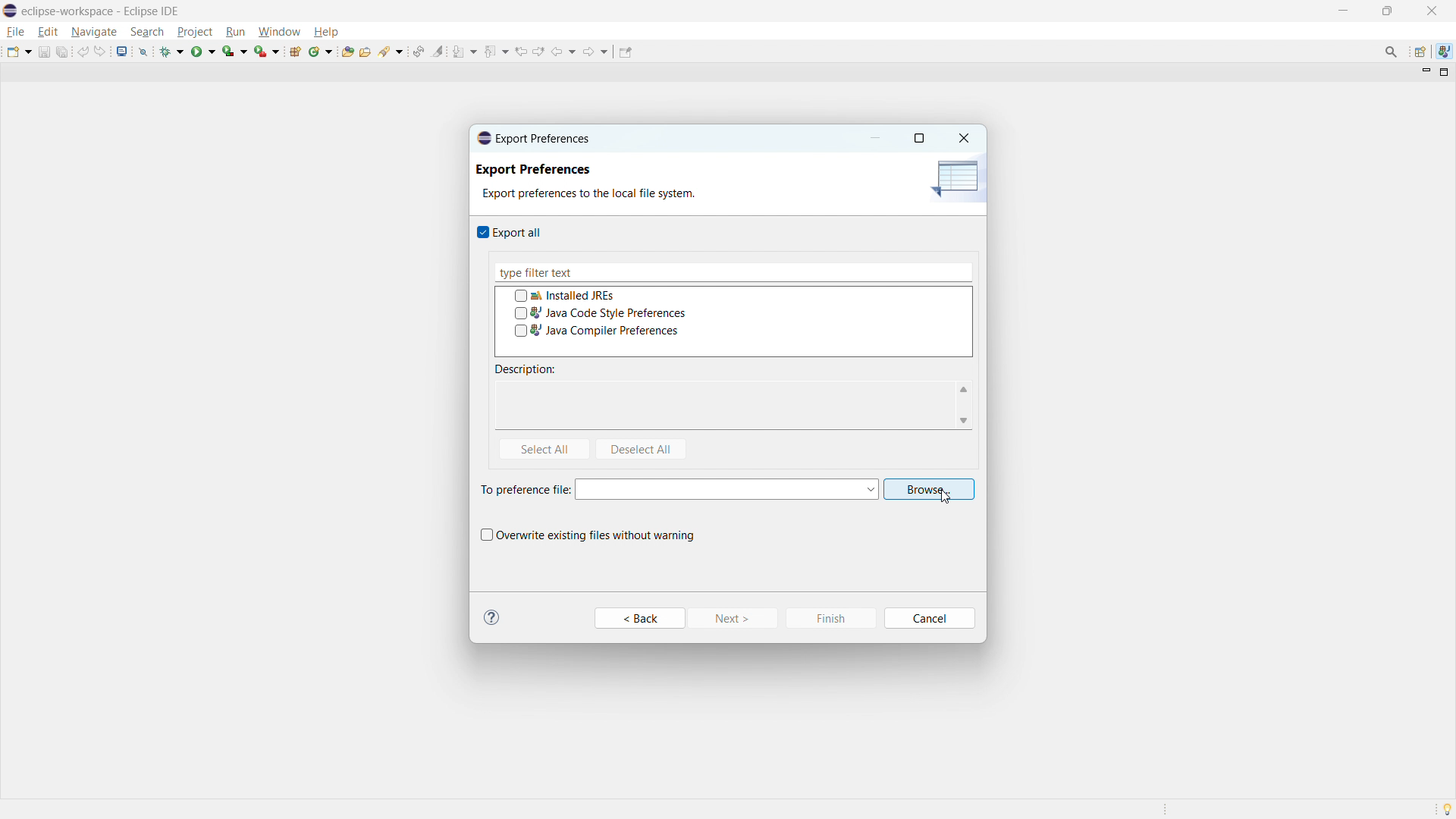 This screenshot has width=1456, height=819. Describe the element at coordinates (833, 618) in the screenshot. I see `Finish` at that location.